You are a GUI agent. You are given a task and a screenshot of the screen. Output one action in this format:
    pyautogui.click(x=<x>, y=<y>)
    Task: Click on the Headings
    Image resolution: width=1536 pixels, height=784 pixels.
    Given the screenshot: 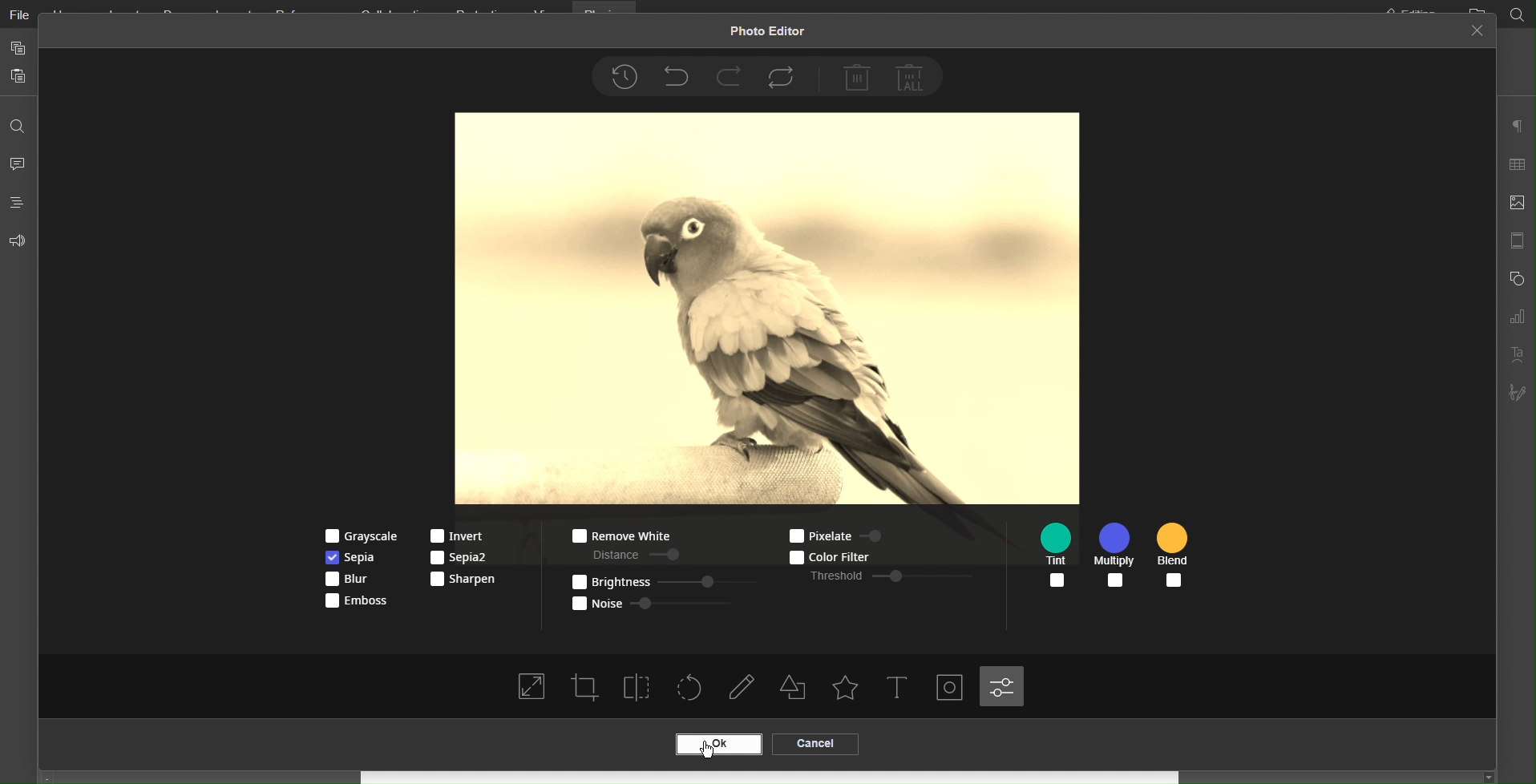 What is the action you would take?
    pyautogui.click(x=18, y=202)
    